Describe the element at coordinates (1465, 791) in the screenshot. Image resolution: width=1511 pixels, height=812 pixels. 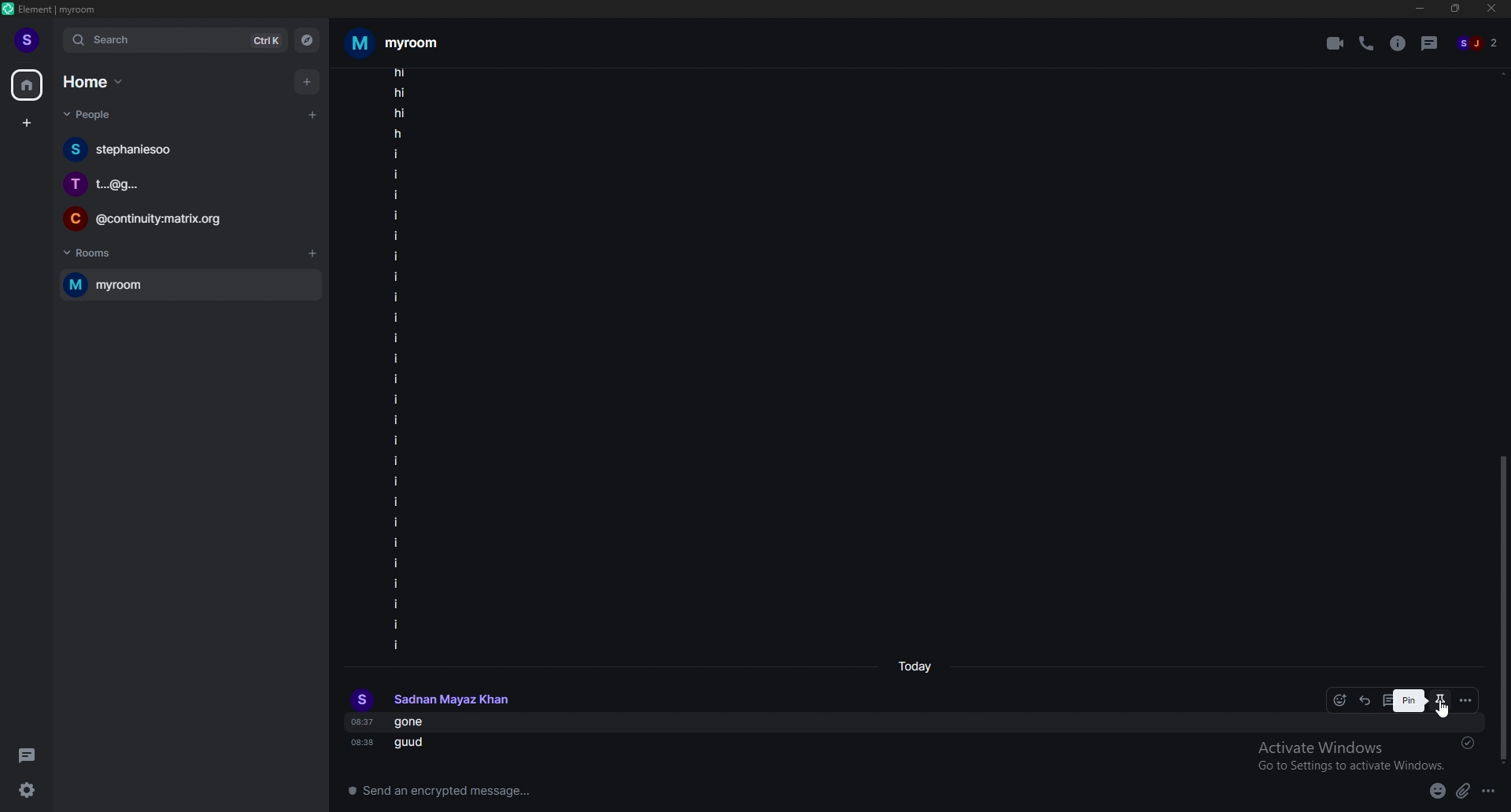
I see `attachment` at that location.